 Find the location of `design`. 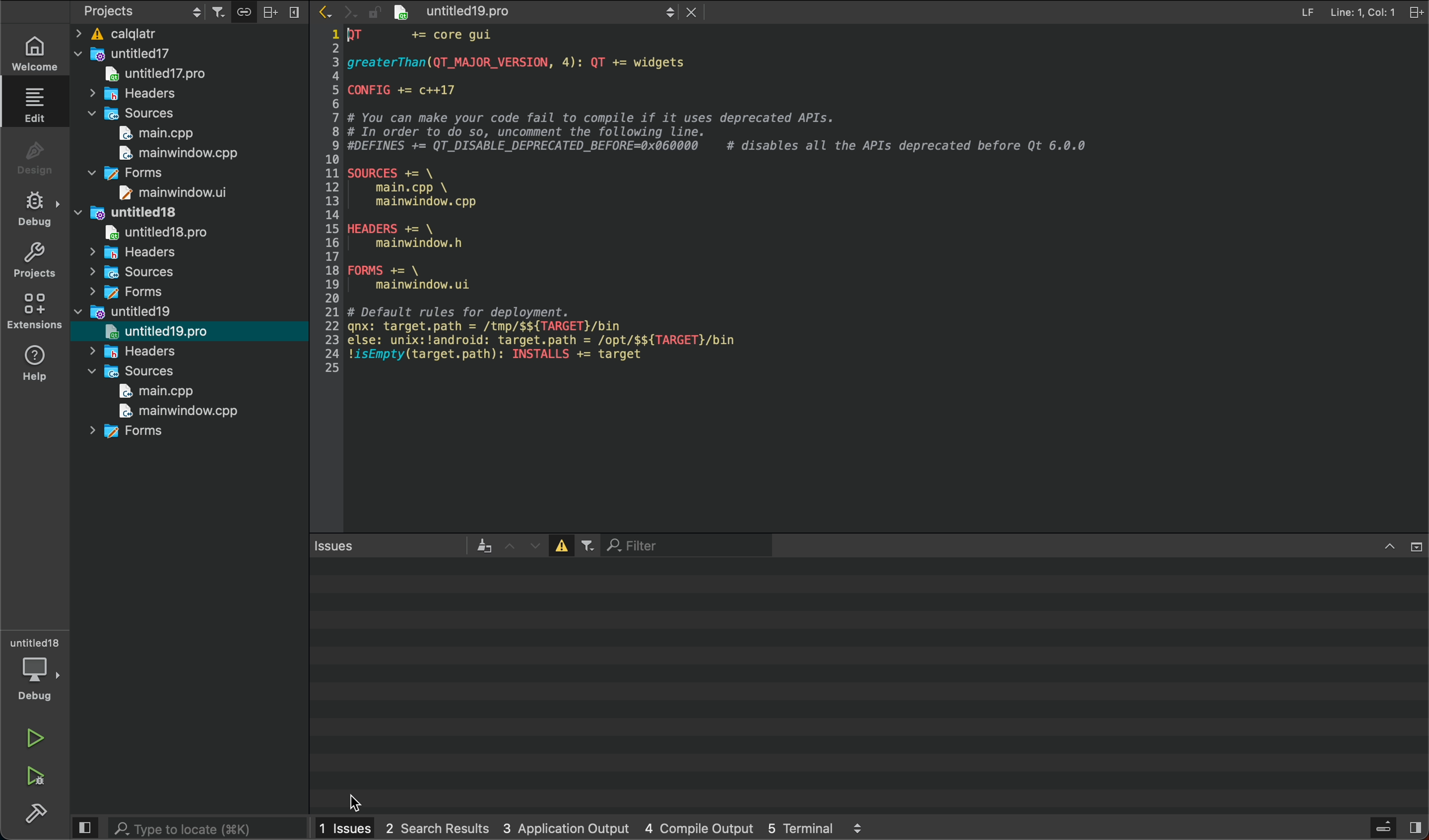

design is located at coordinates (37, 159).